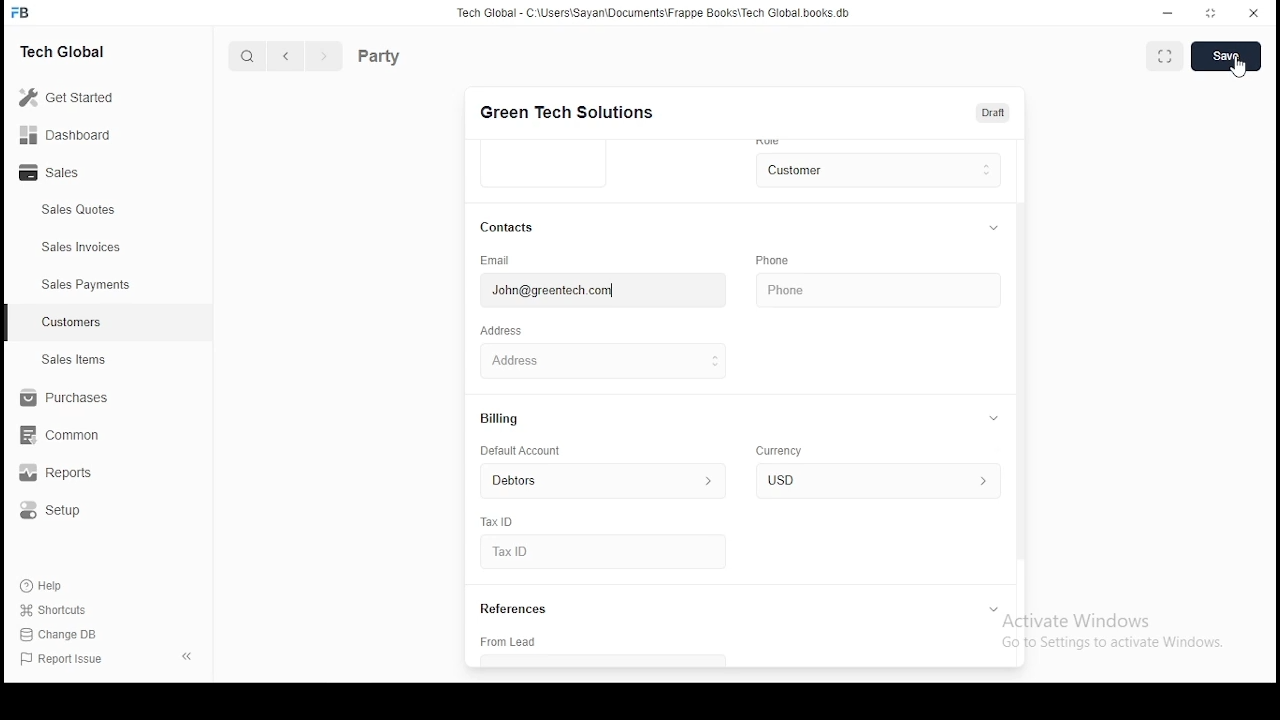 The width and height of the screenshot is (1280, 720). I want to click on reports, so click(64, 474).